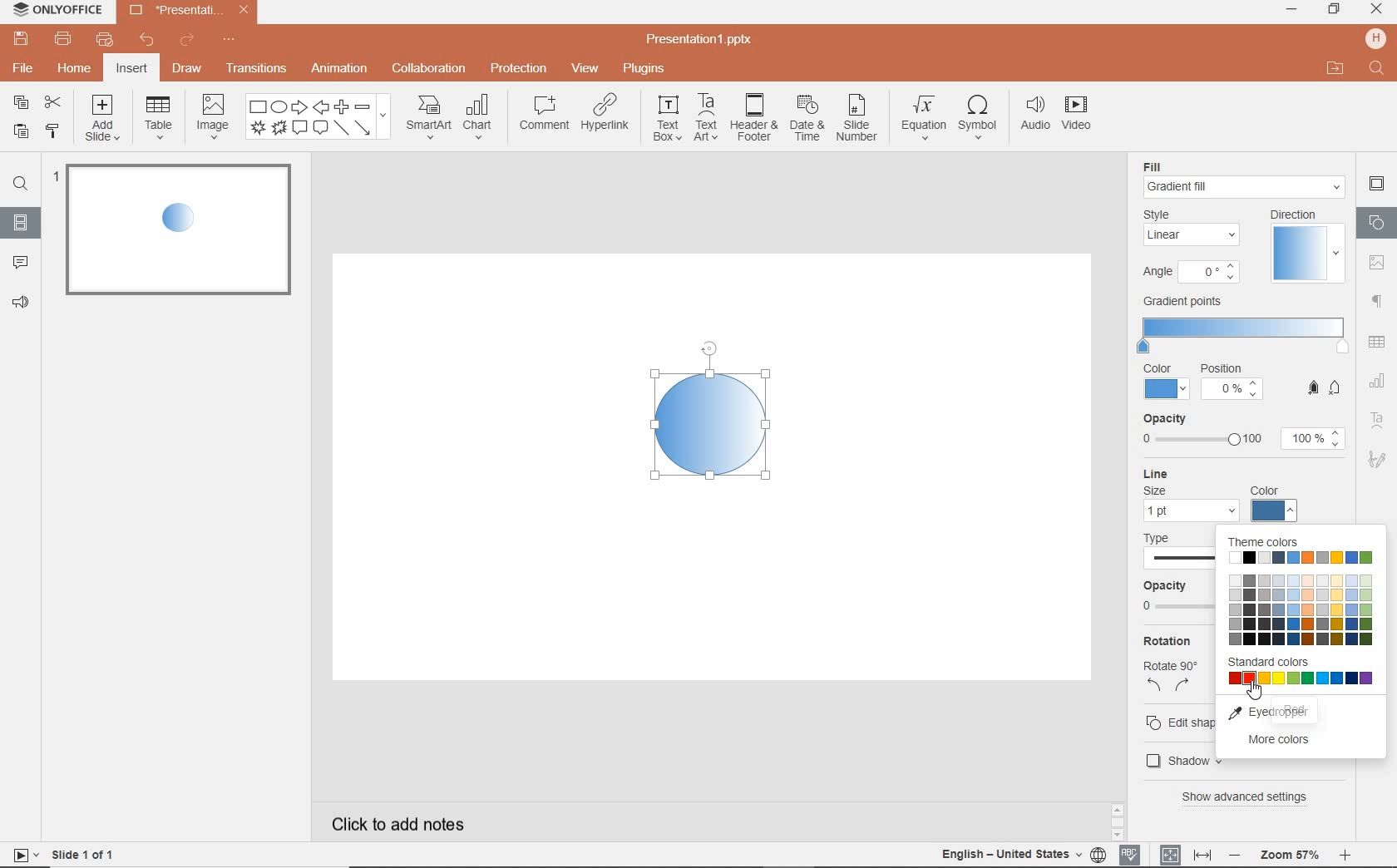 The height and width of the screenshot is (868, 1397). Describe the element at coordinates (1301, 683) in the screenshot. I see `standard colors` at that location.